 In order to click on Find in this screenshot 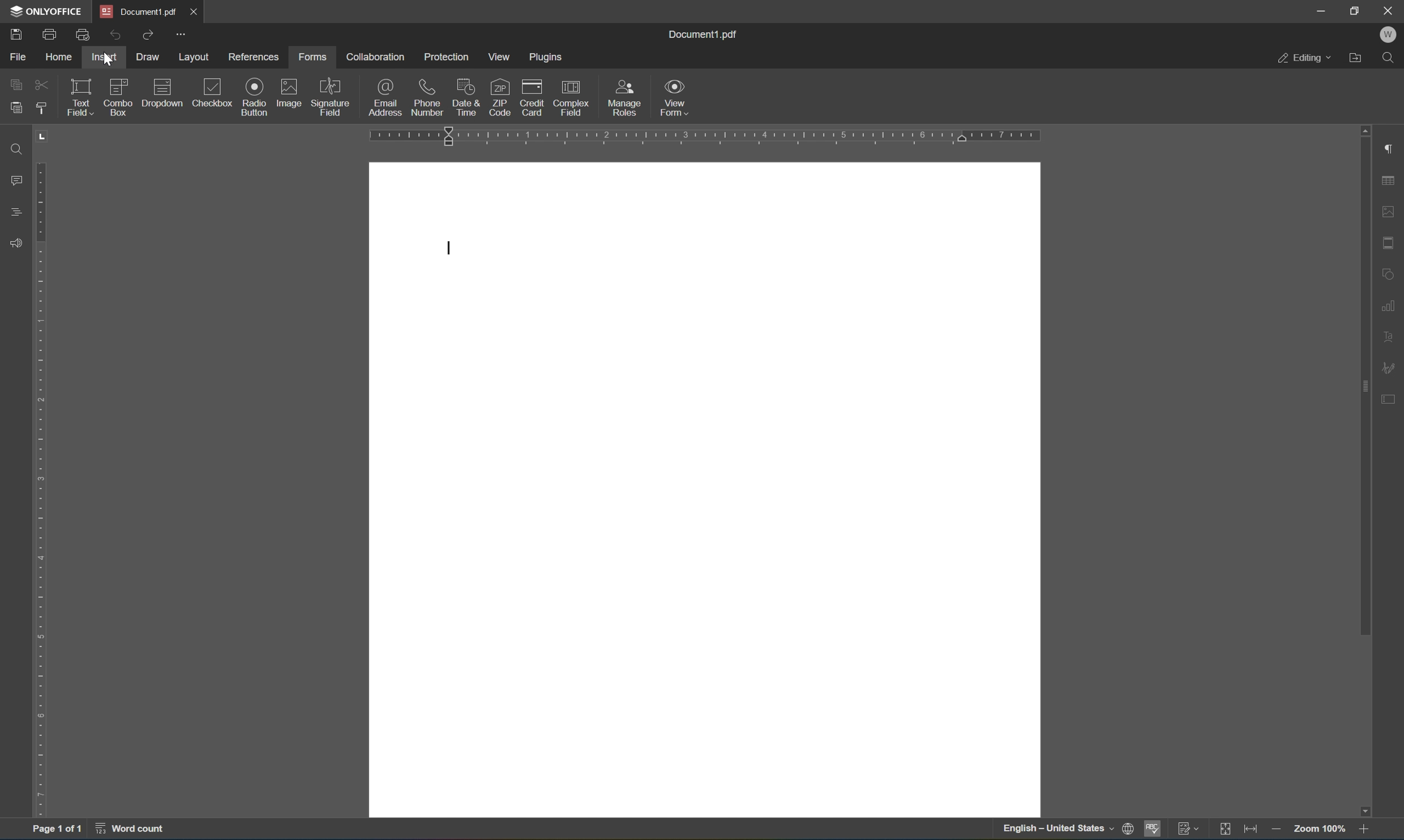, I will do `click(18, 150)`.